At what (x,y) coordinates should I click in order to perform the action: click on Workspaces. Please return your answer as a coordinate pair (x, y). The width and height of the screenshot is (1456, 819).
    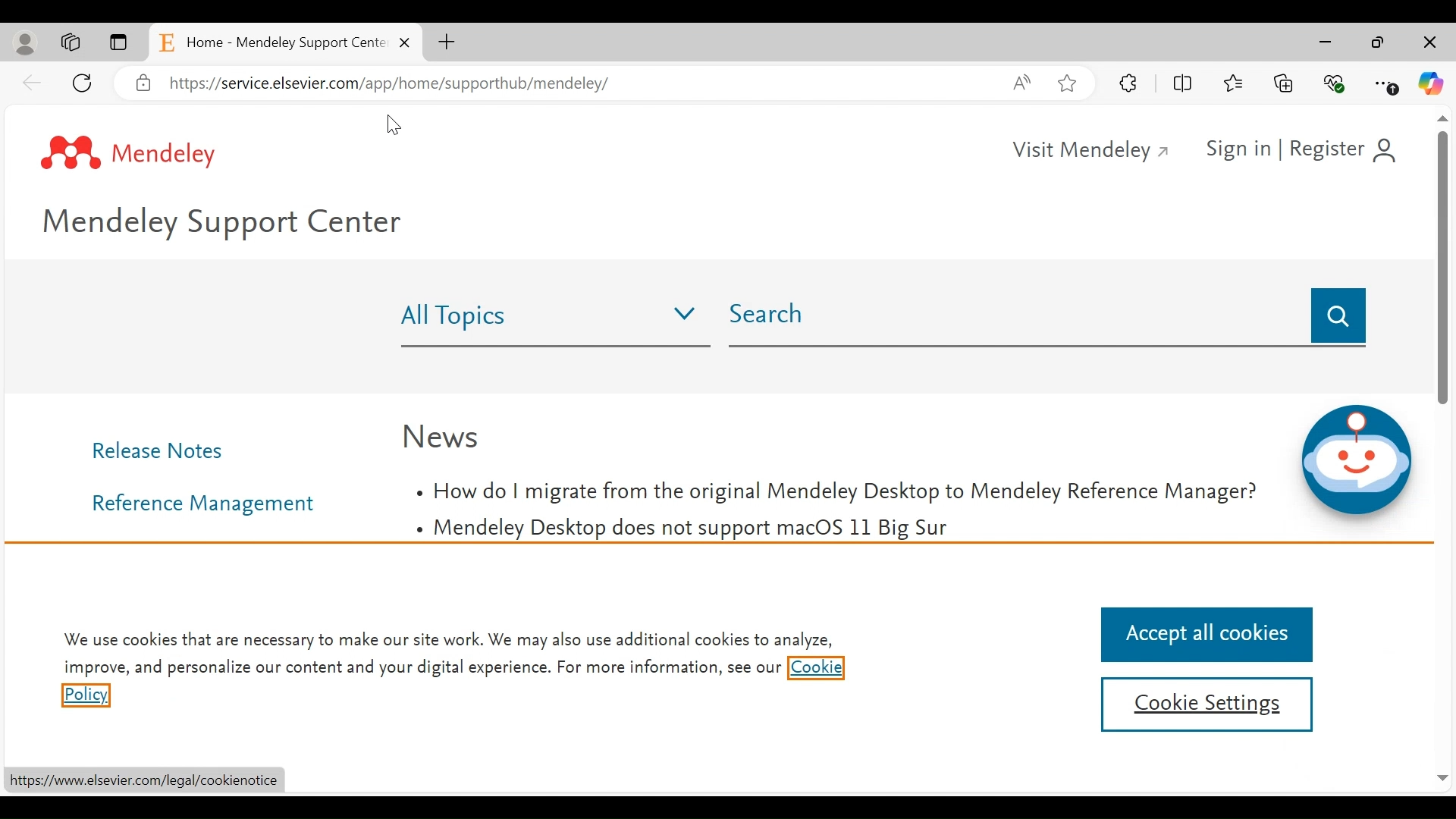
    Looking at the image, I should click on (71, 43).